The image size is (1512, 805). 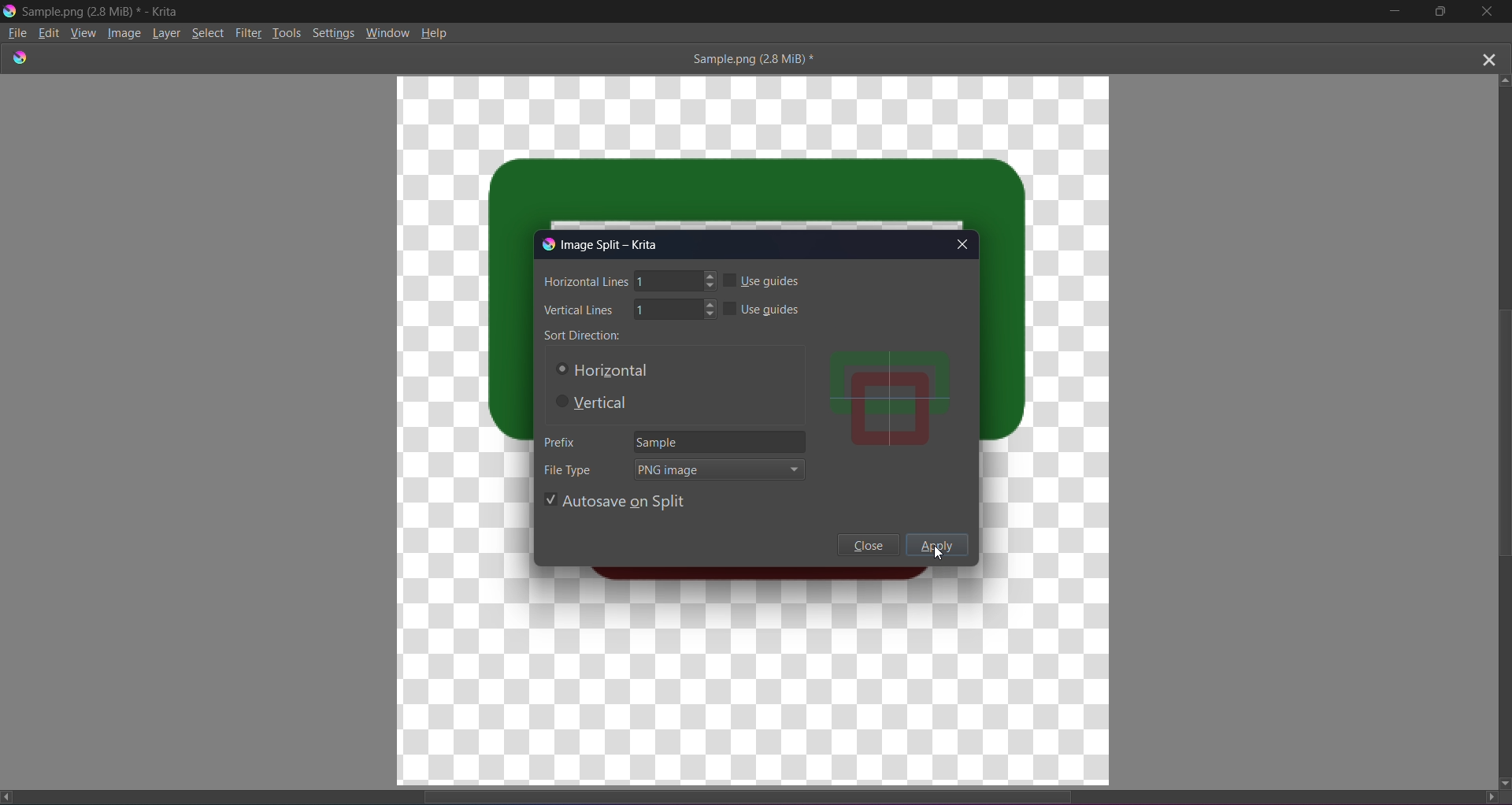 What do you see at coordinates (17, 33) in the screenshot?
I see `File` at bounding box center [17, 33].